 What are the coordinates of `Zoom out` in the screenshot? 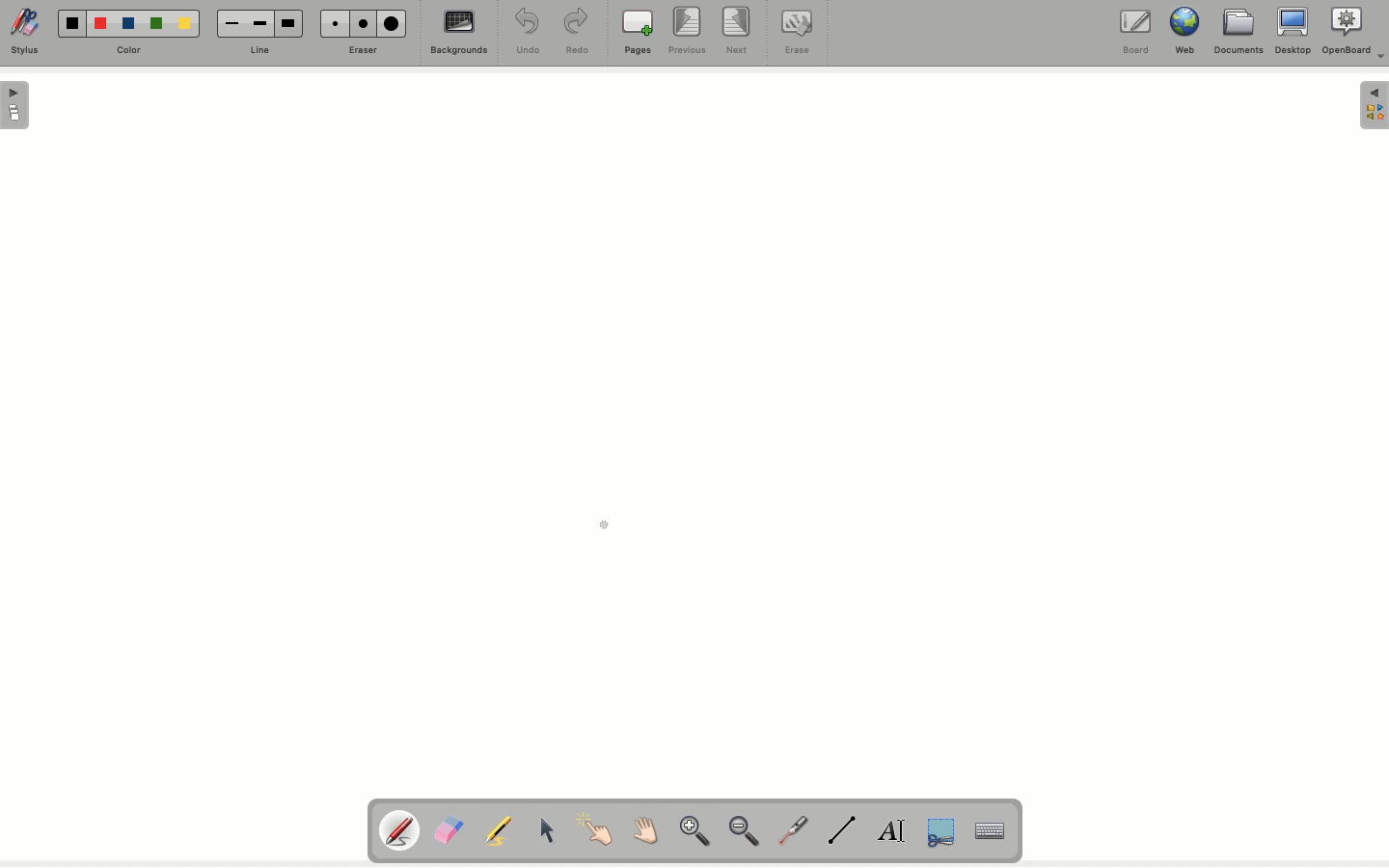 It's located at (749, 833).